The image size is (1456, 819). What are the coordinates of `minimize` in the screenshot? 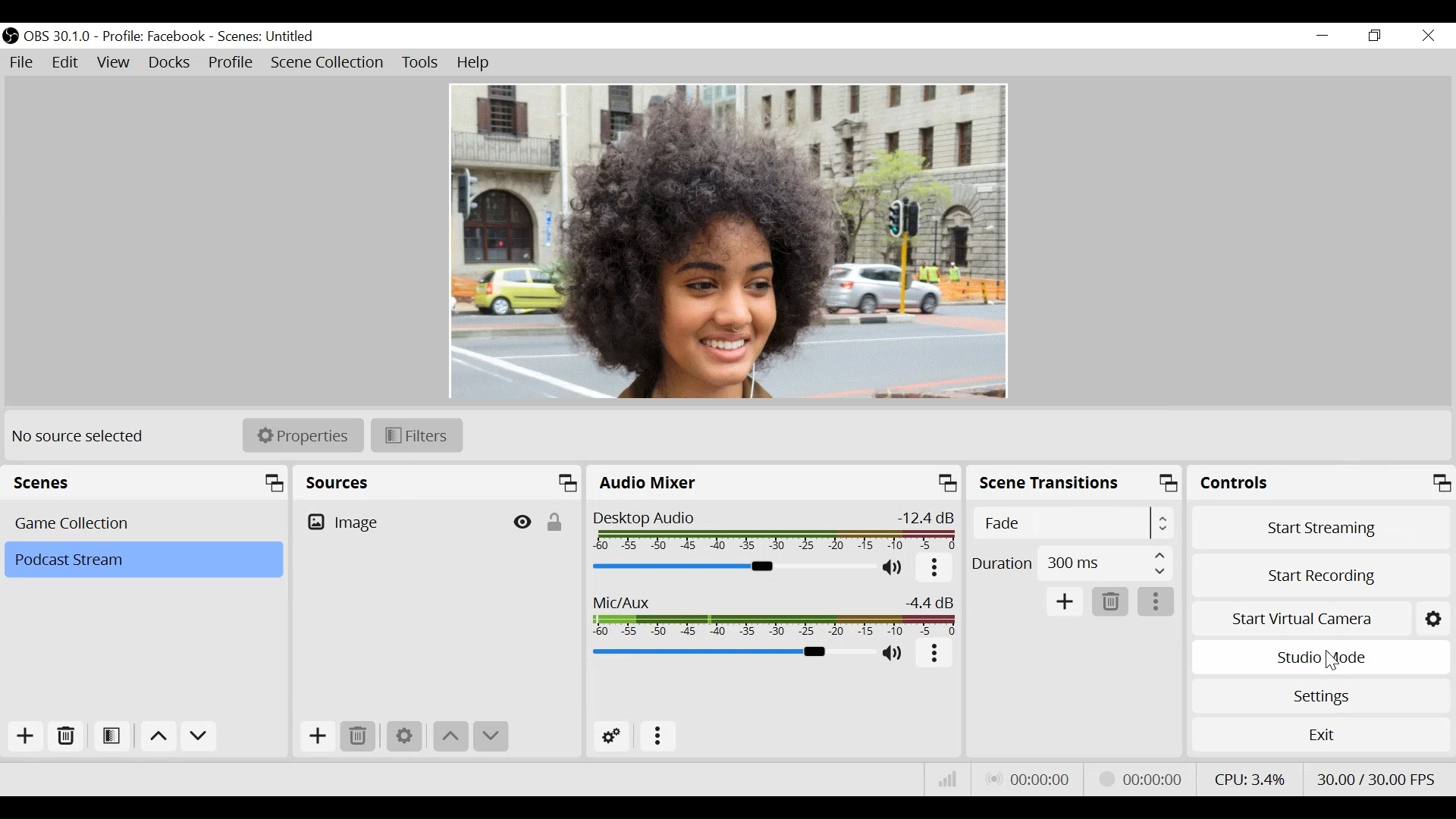 It's located at (1323, 36).